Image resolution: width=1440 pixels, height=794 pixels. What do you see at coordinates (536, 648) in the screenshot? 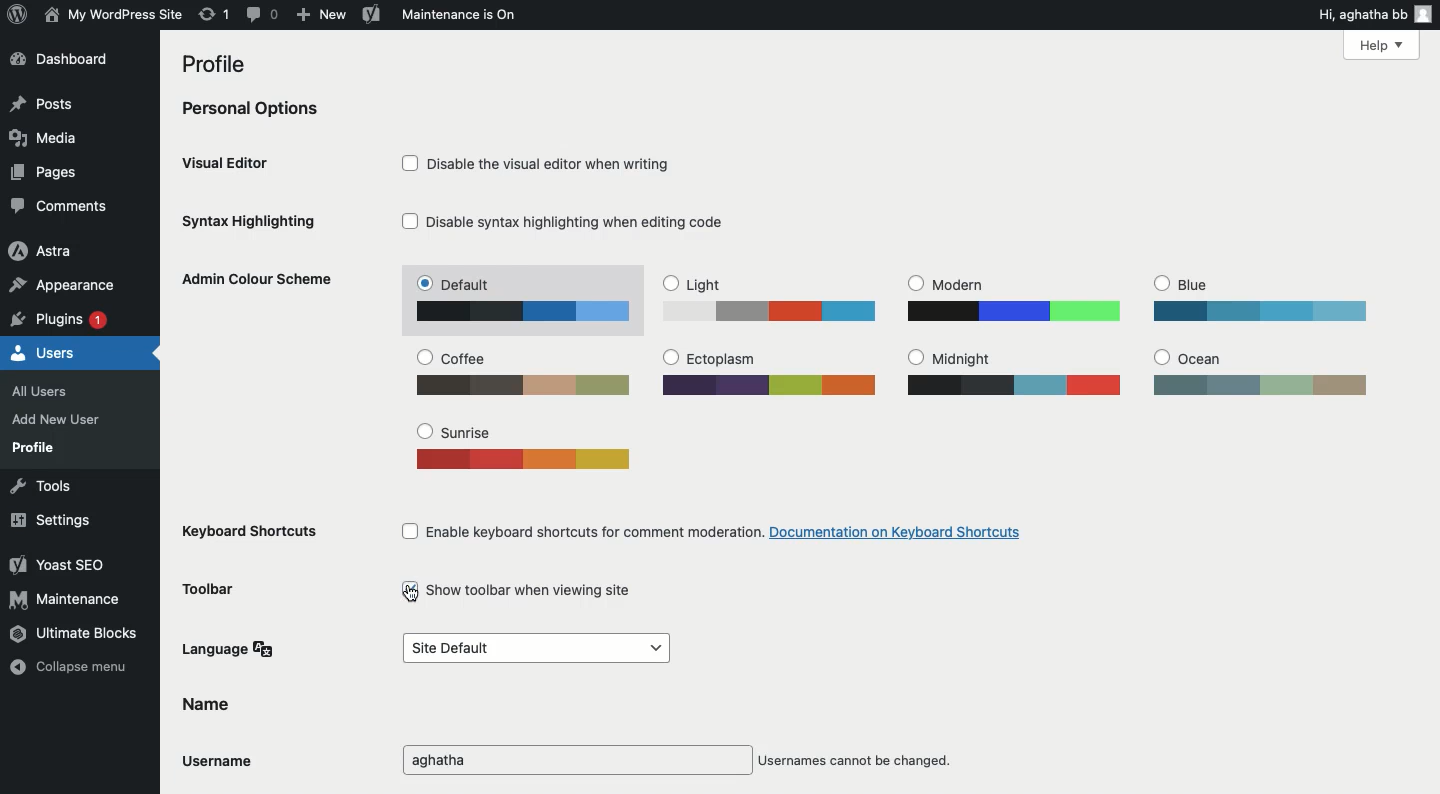
I see `Default` at bounding box center [536, 648].